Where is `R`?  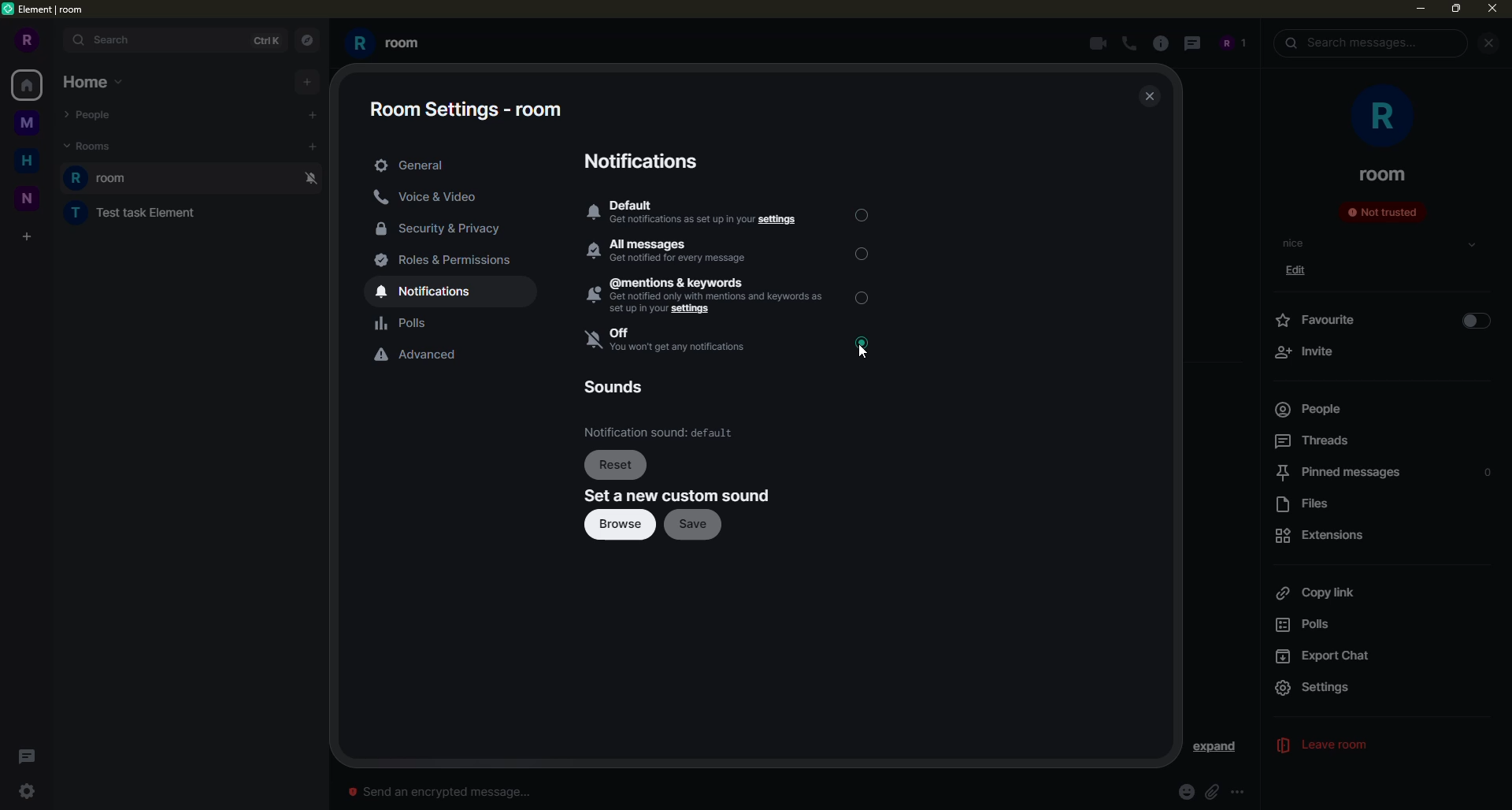 R is located at coordinates (27, 39).